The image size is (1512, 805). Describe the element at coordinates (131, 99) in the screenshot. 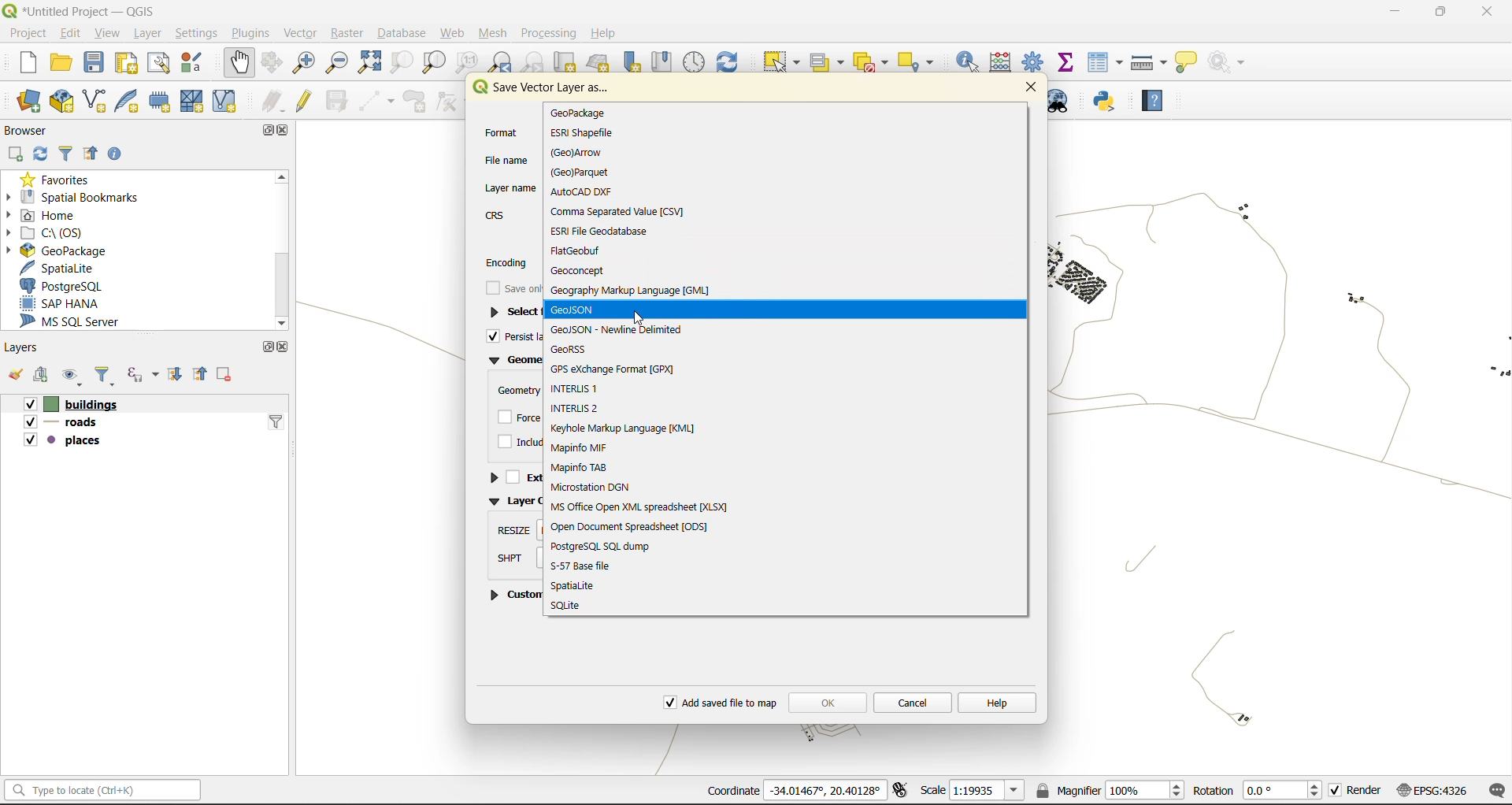

I see `new spatialite` at that location.